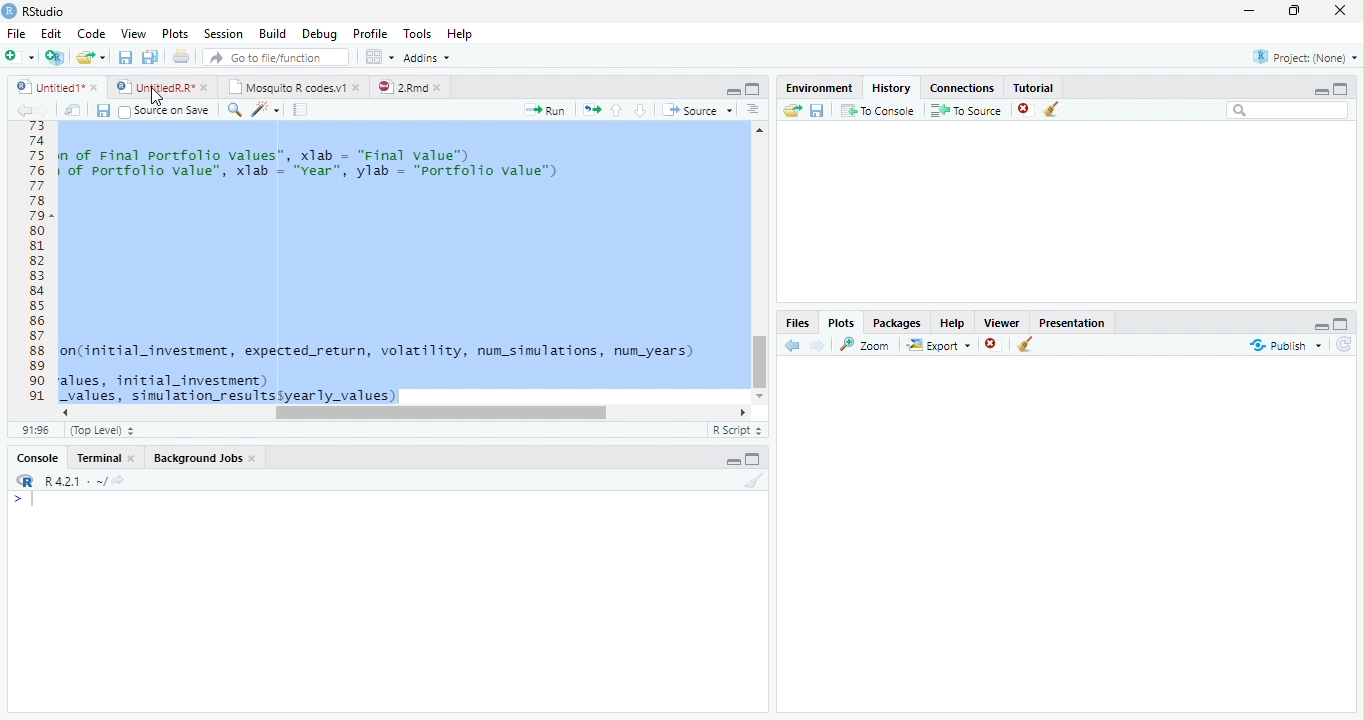 Image resolution: width=1364 pixels, height=720 pixels. I want to click on R 4.2.1 ~/, so click(67, 479).